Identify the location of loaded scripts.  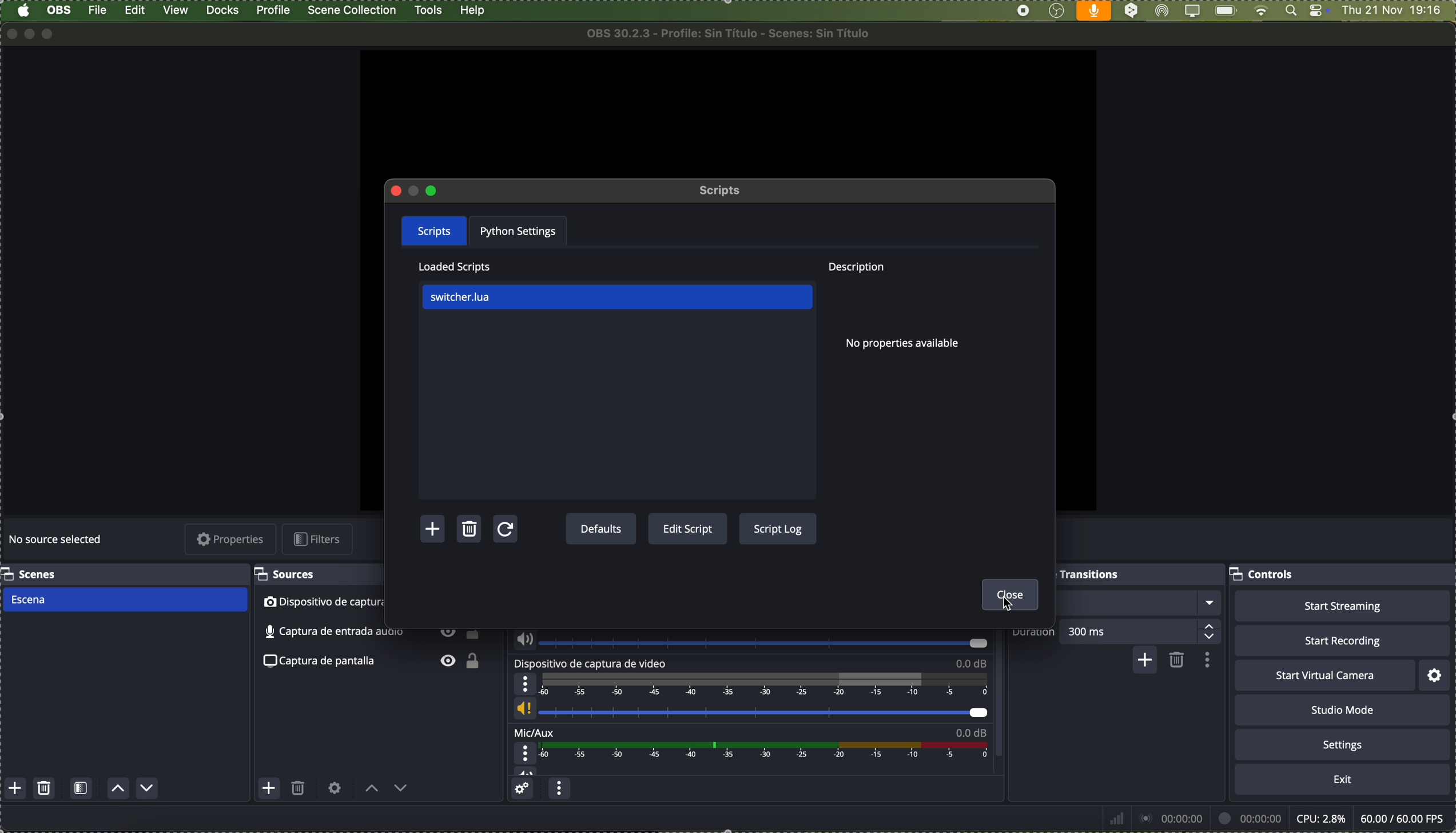
(455, 267).